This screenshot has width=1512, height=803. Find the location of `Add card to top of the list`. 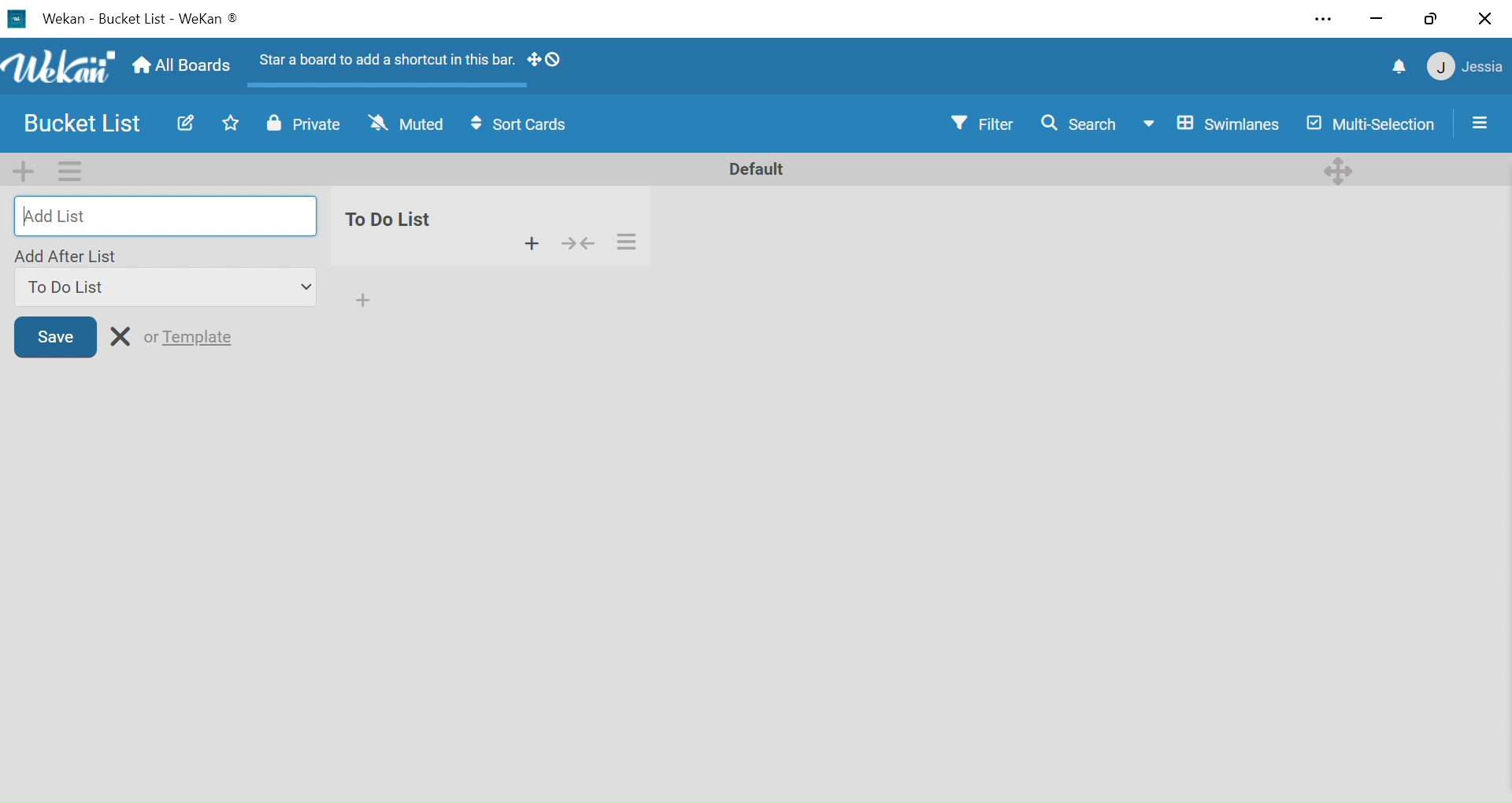

Add card to top of the list is located at coordinates (532, 242).